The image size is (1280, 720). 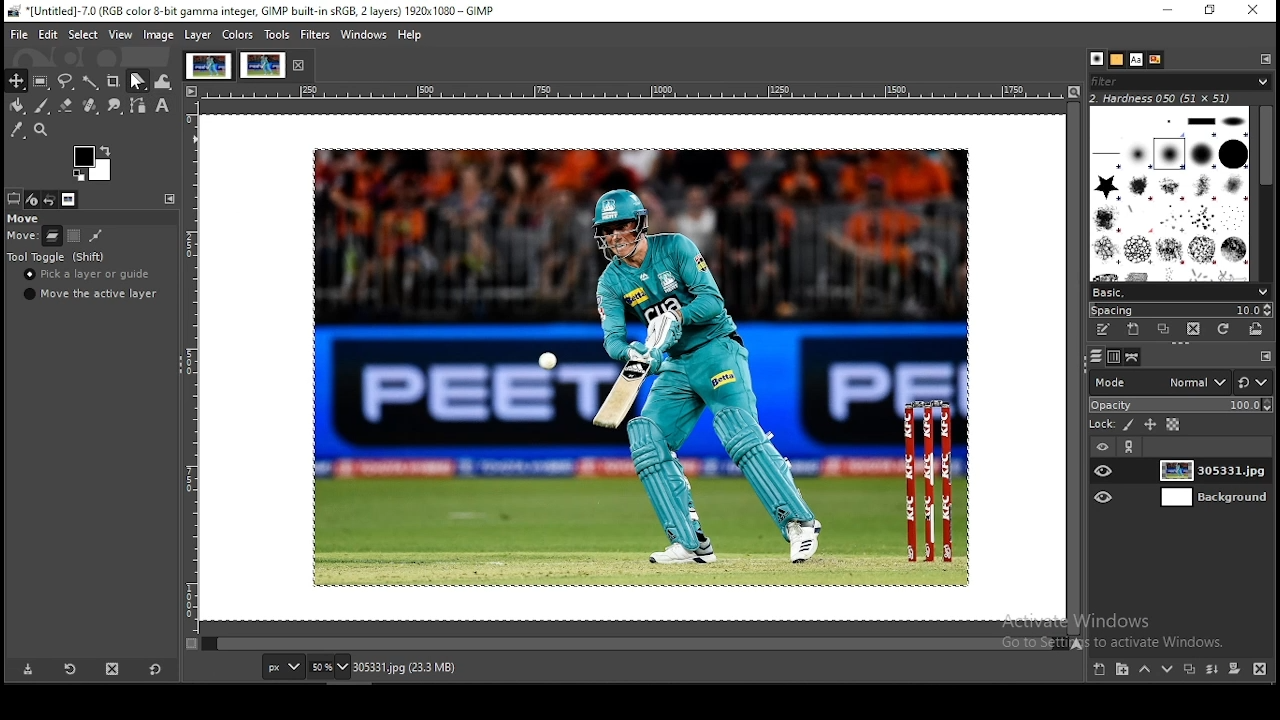 What do you see at coordinates (277, 35) in the screenshot?
I see `tools` at bounding box center [277, 35].